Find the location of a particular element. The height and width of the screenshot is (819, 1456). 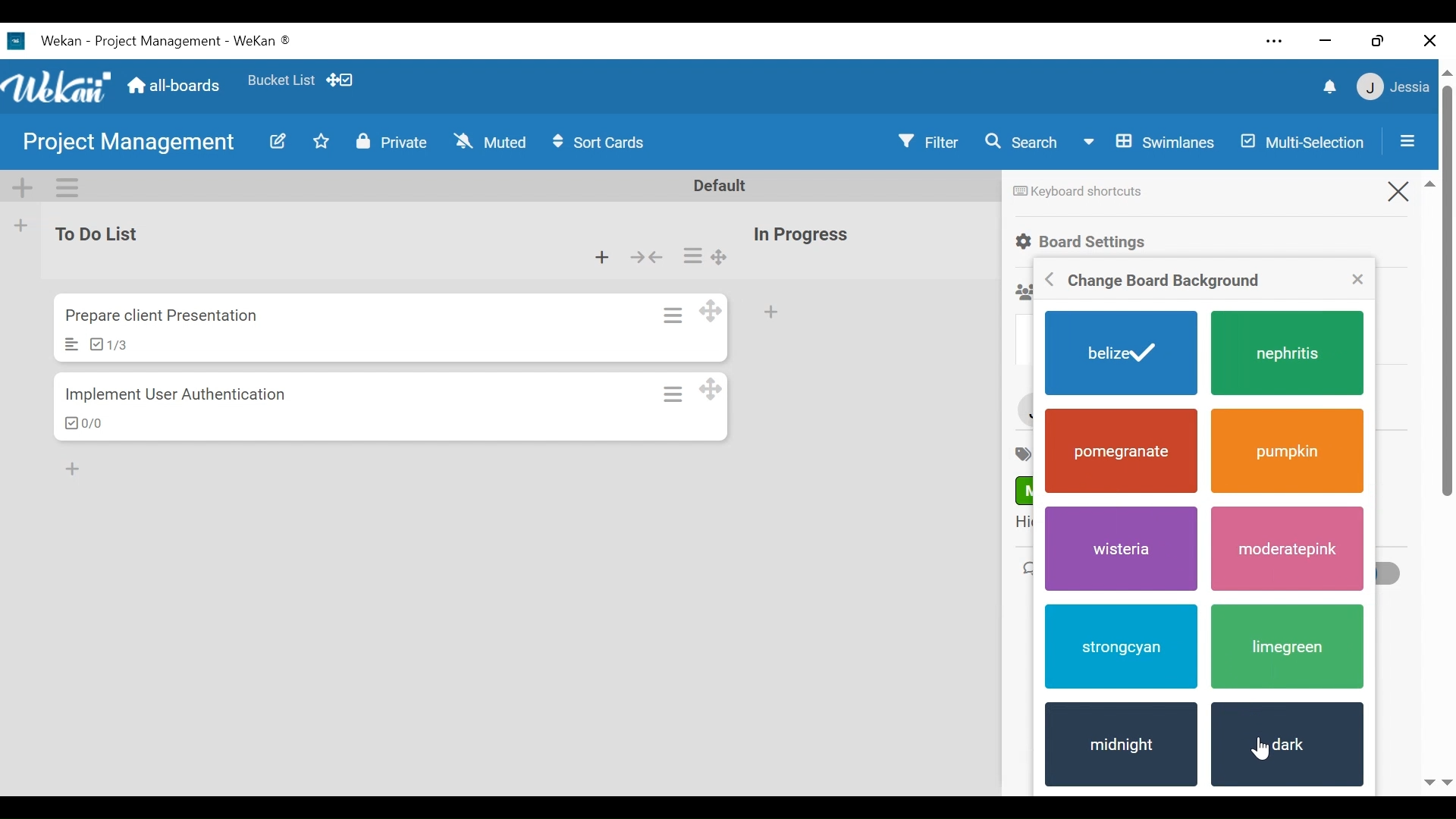

Board Title is located at coordinates (131, 145).